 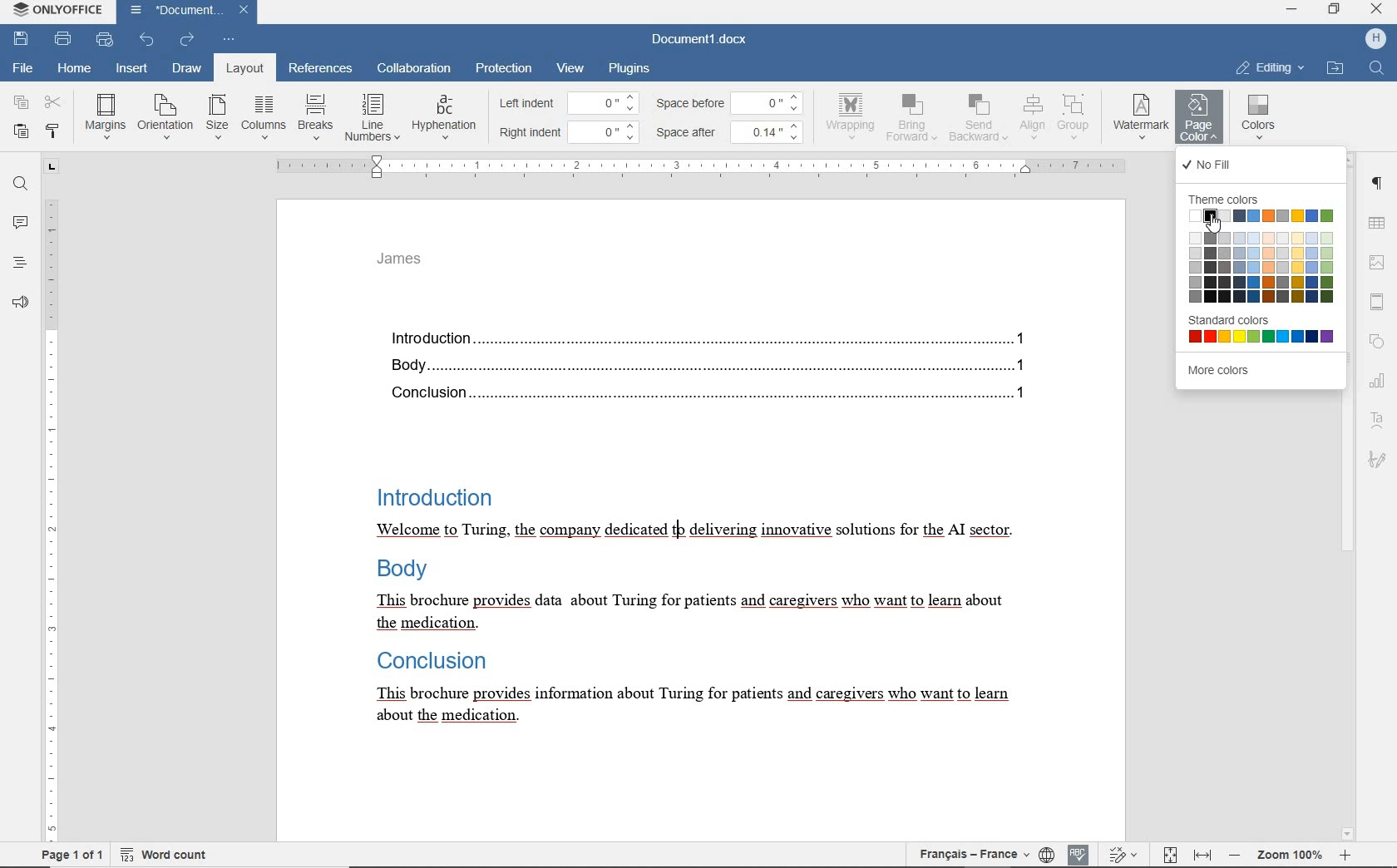 What do you see at coordinates (1378, 460) in the screenshot?
I see `signature` at bounding box center [1378, 460].